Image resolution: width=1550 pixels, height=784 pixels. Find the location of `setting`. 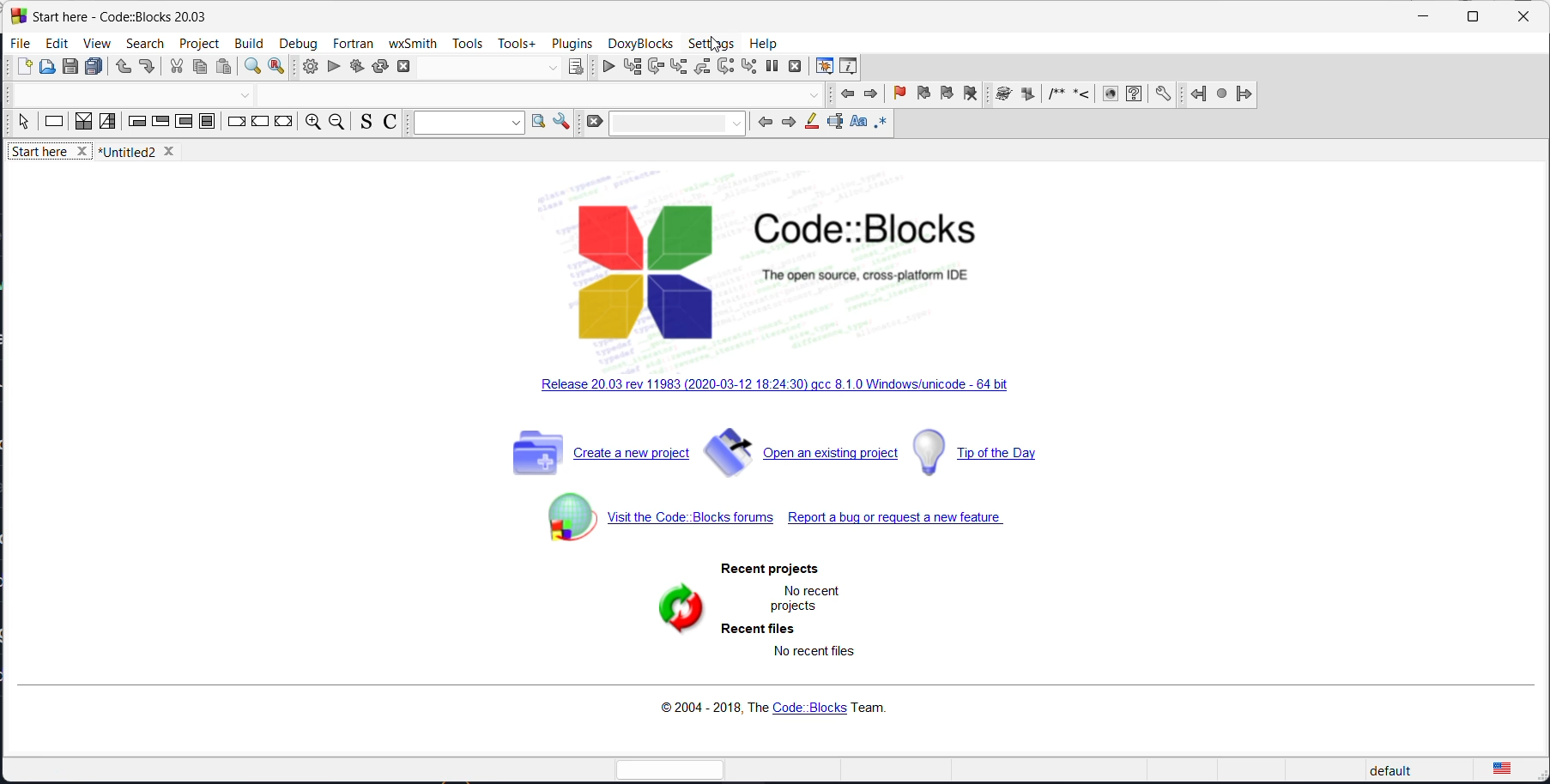

setting is located at coordinates (1164, 94).